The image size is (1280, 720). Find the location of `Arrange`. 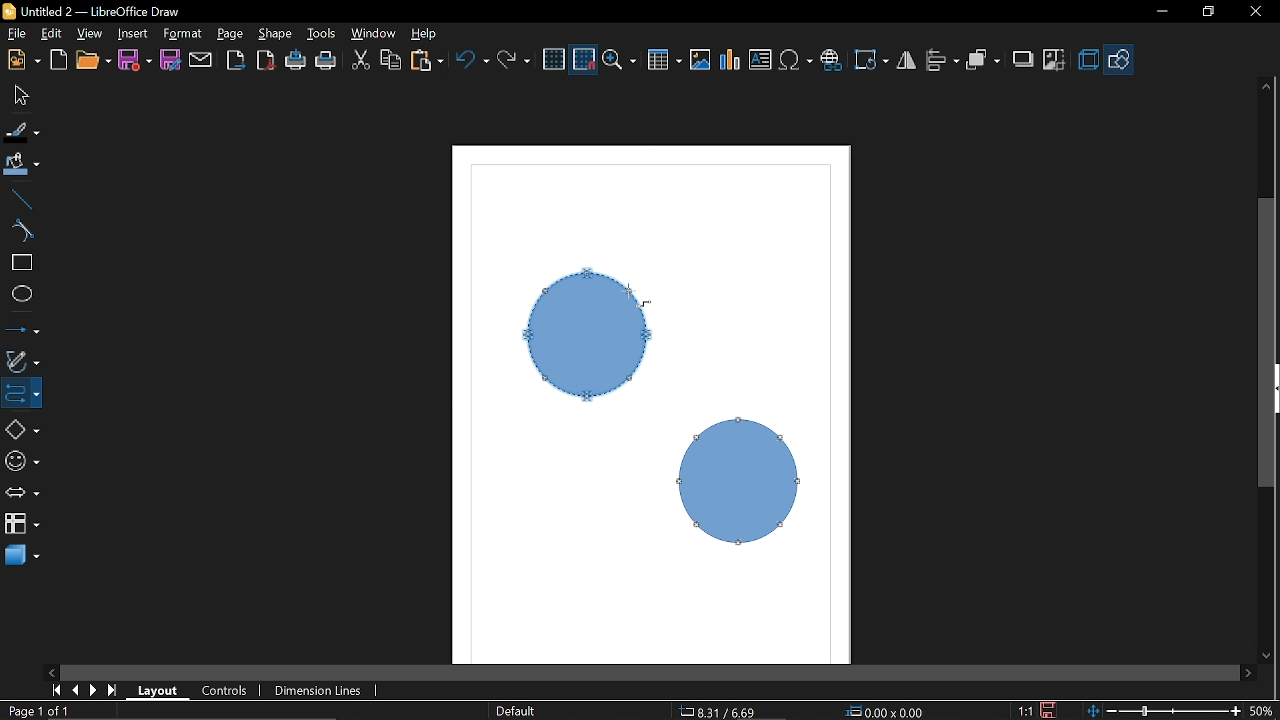

Arrange is located at coordinates (984, 61).